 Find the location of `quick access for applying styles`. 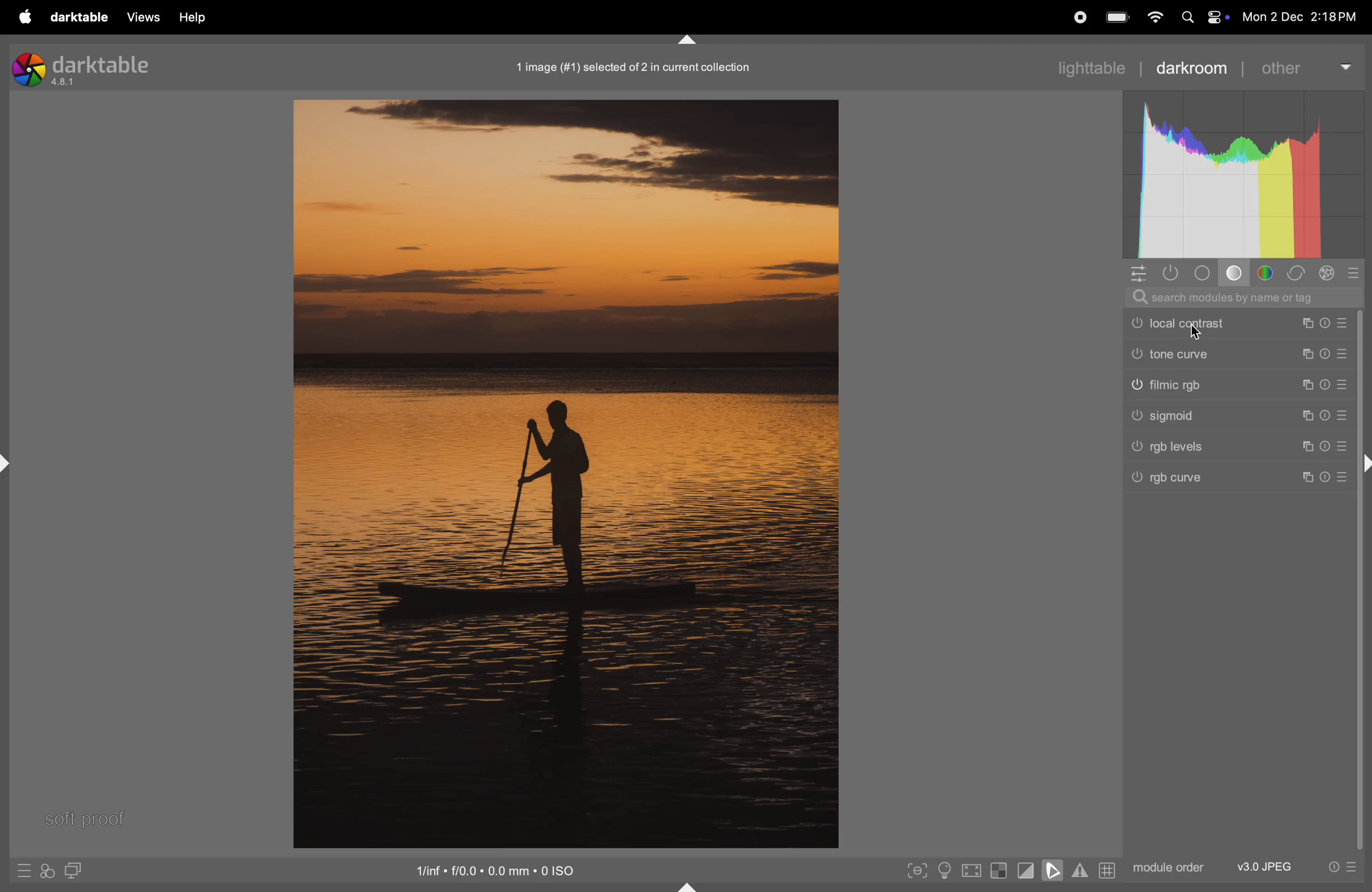

quick access for applying styles is located at coordinates (47, 871).